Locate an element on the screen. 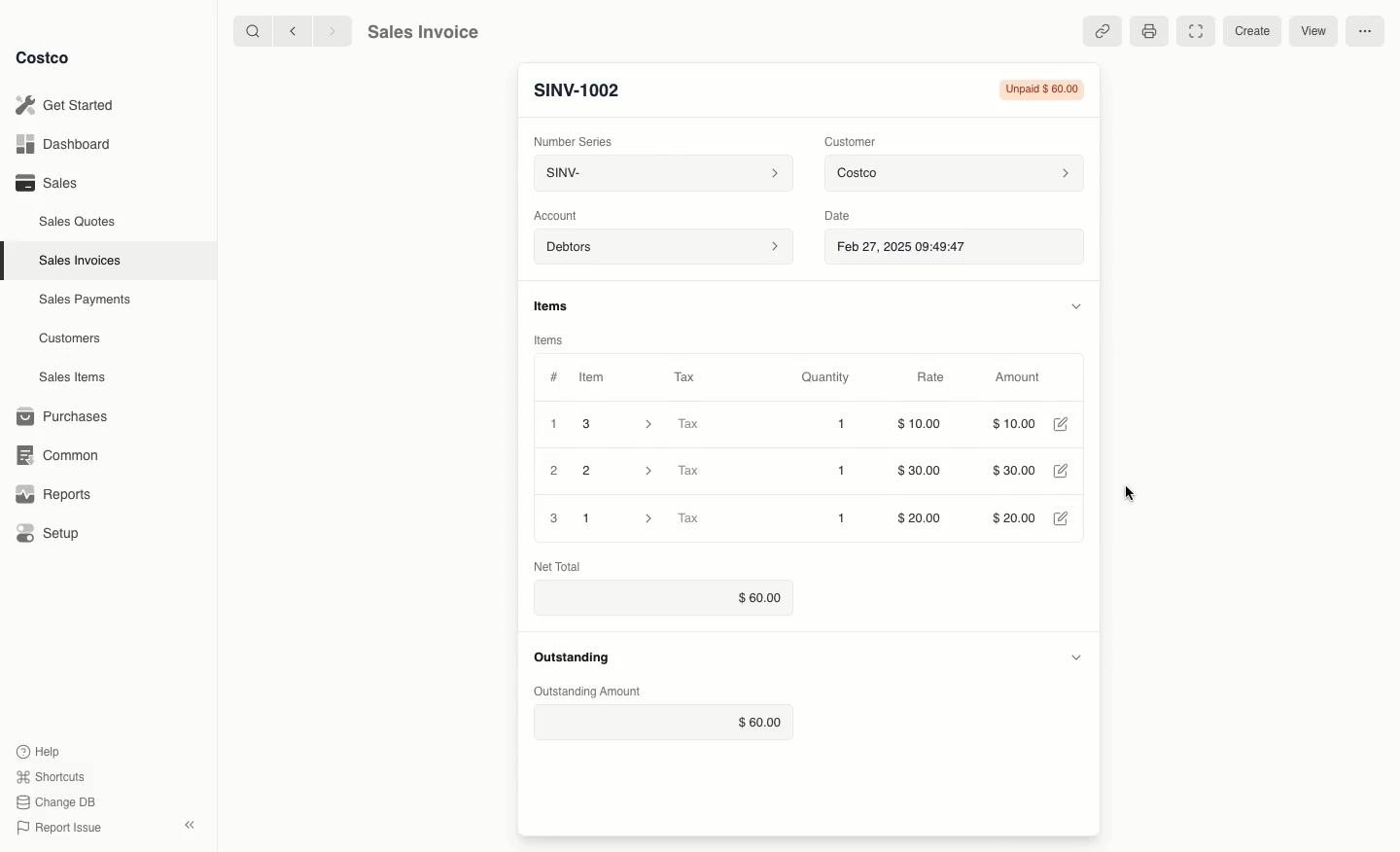  $20.00 is located at coordinates (1009, 516).